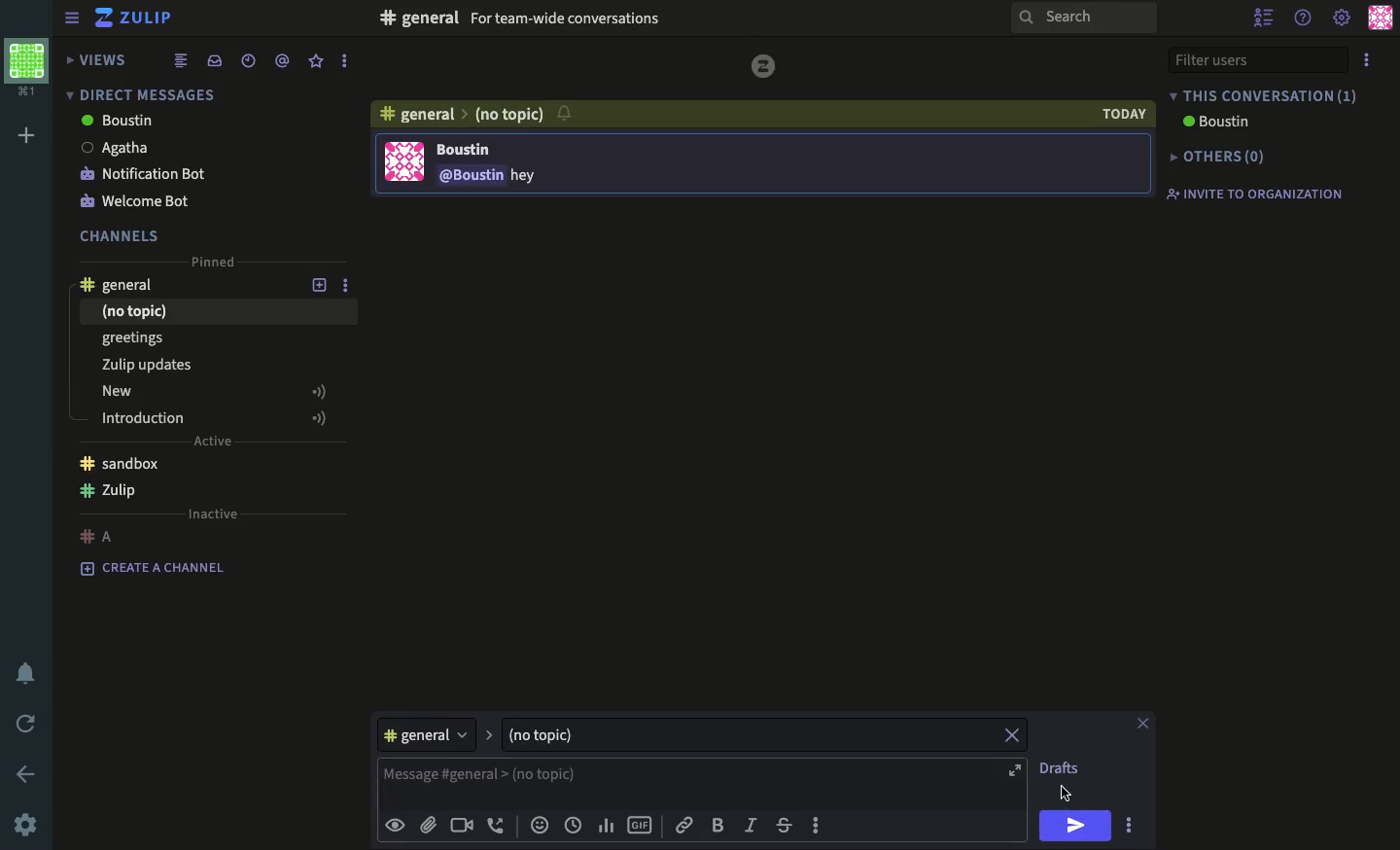 The image size is (1400, 850). Describe the element at coordinates (1060, 766) in the screenshot. I see `drafts` at that location.